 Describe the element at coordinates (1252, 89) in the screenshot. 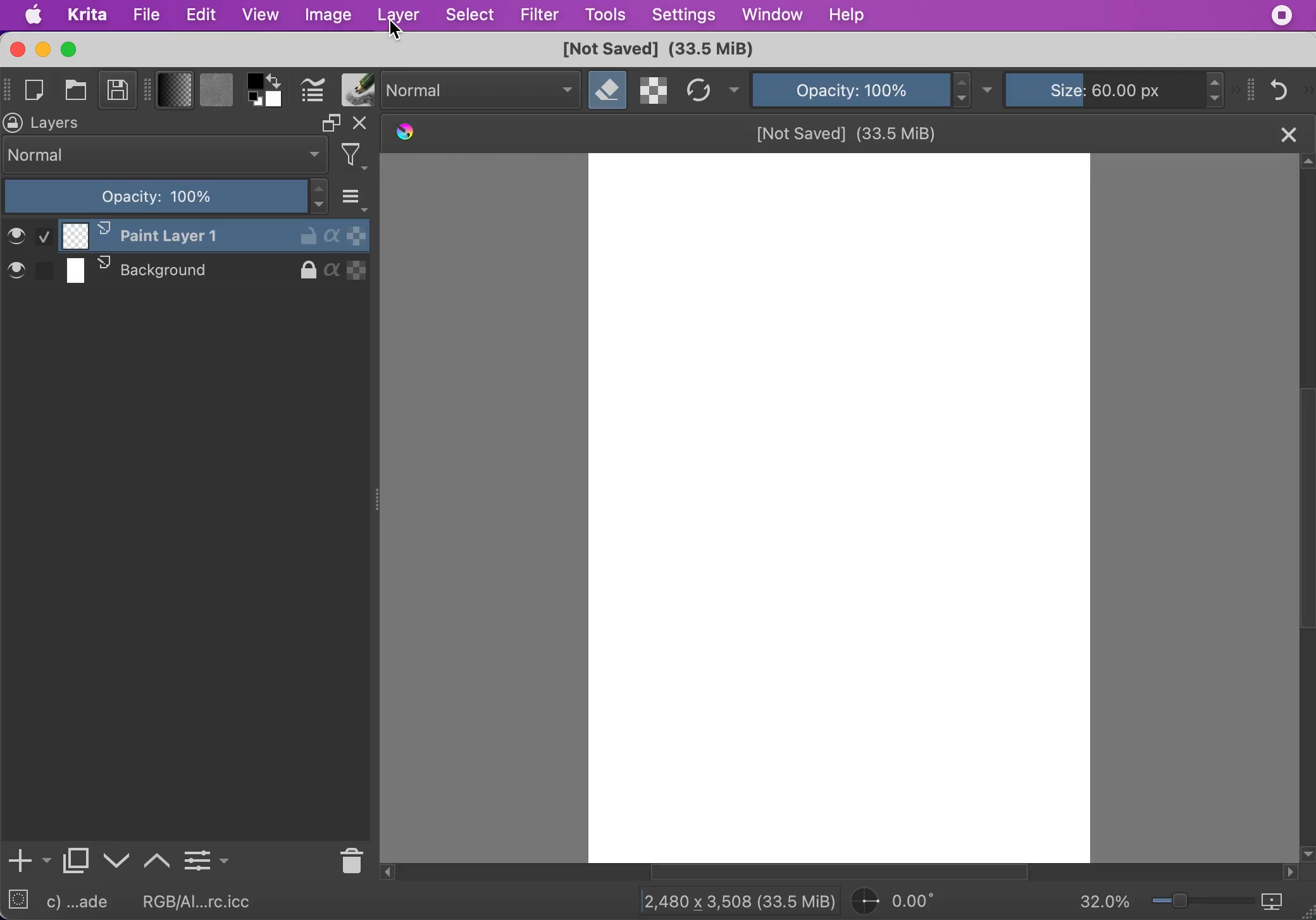

I see `show/hide panel` at that location.